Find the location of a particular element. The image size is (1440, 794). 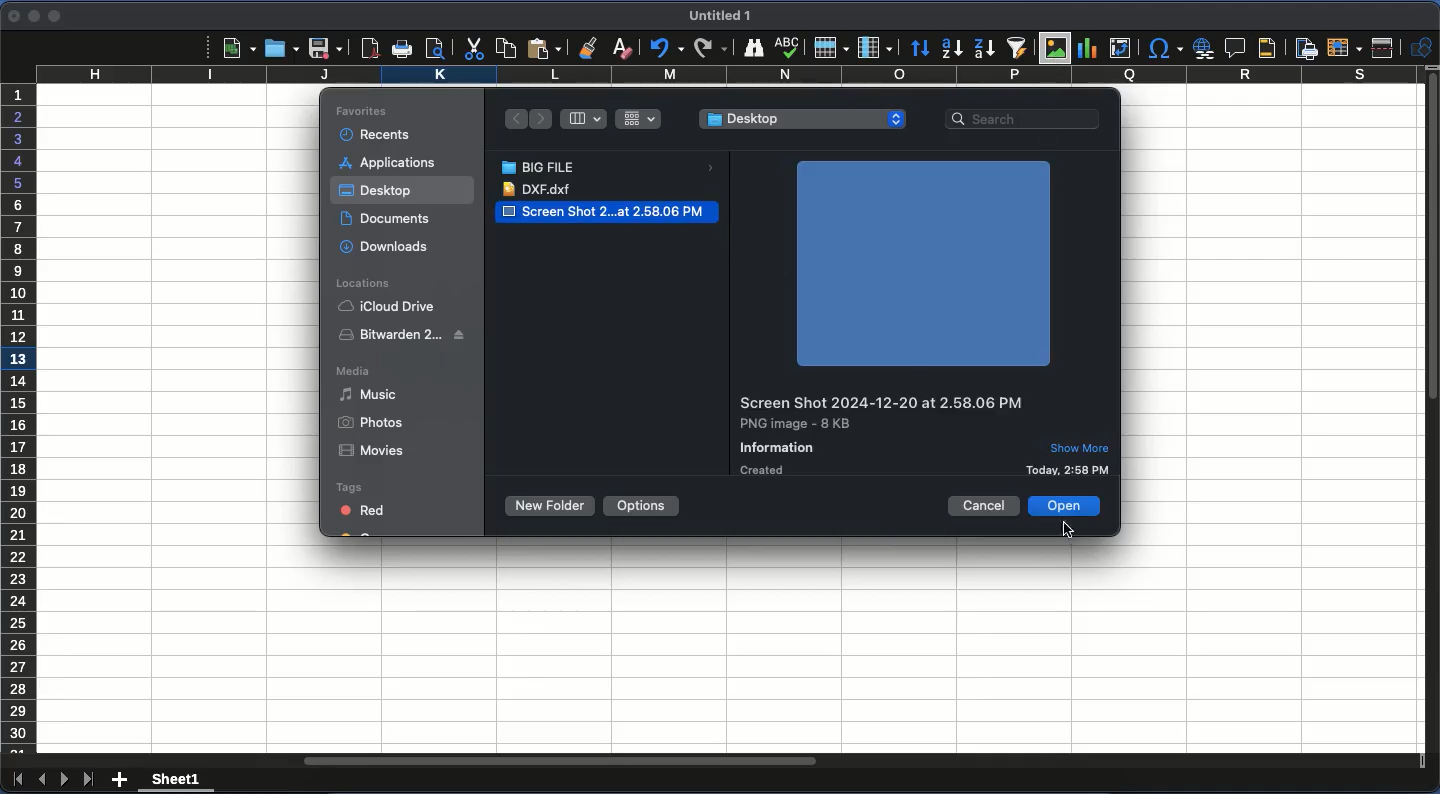

minimize is located at coordinates (33, 16).